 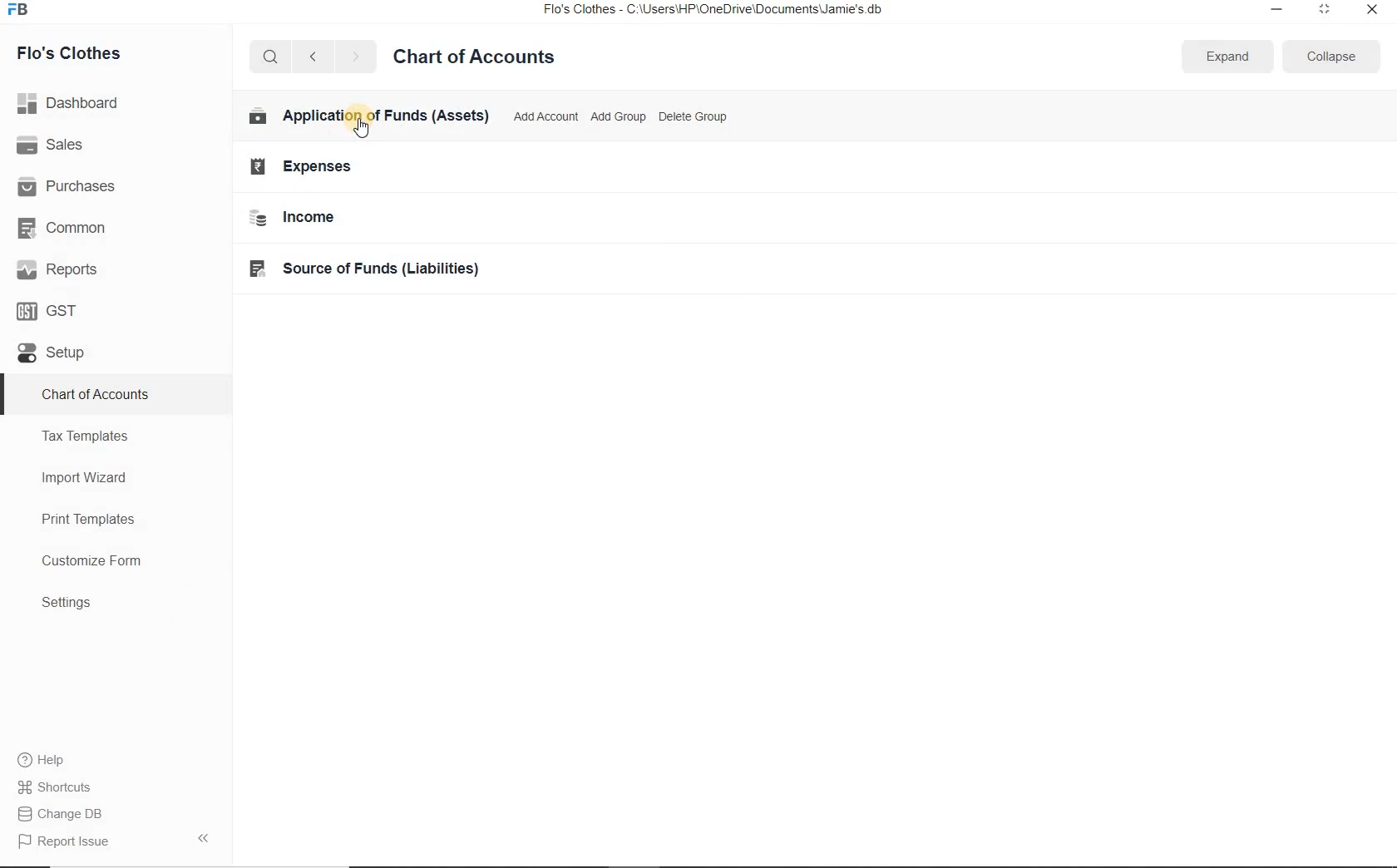 I want to click on maximize, so click(x=1325, y=8).